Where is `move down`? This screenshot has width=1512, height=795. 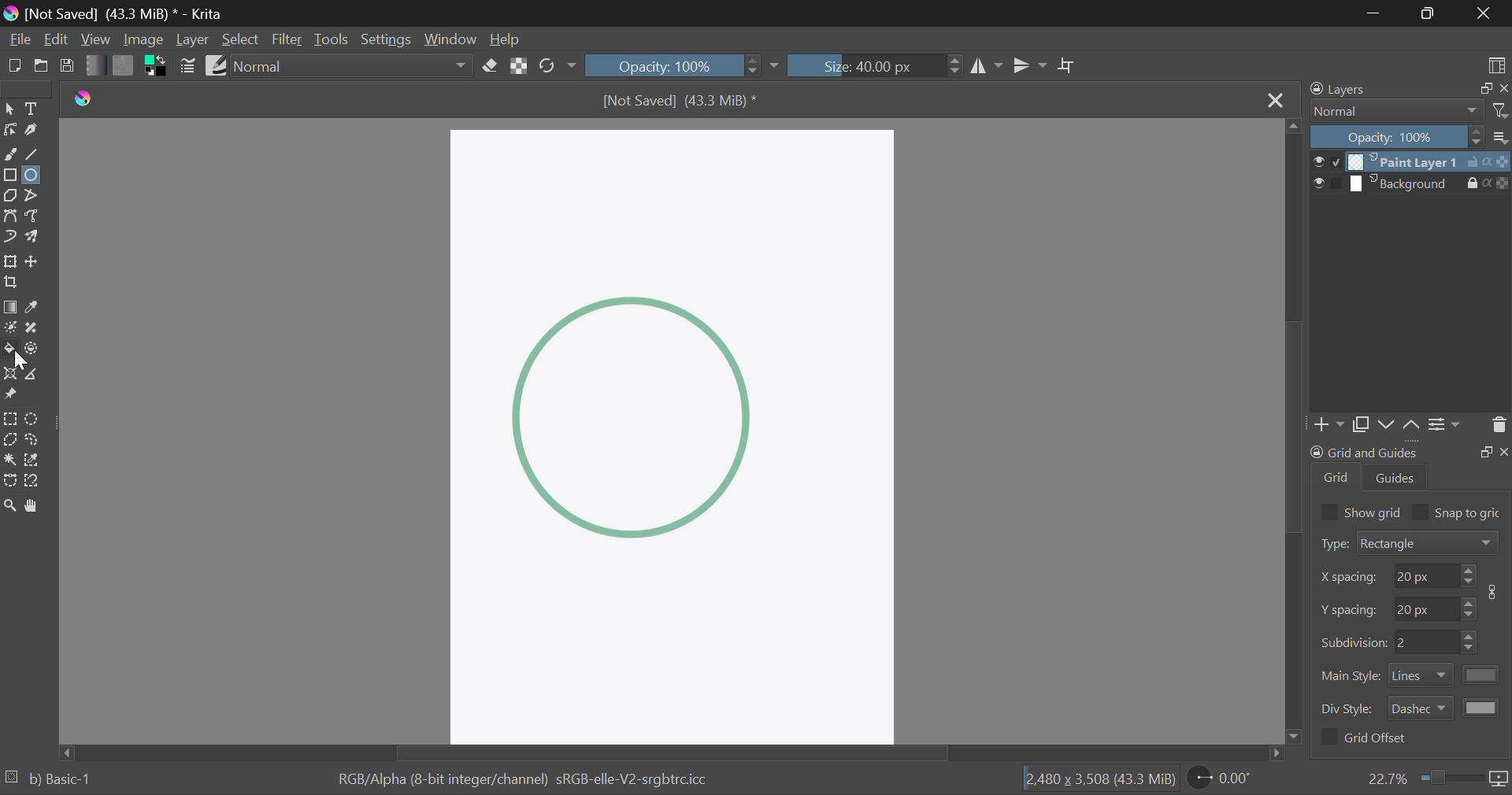 move down is located at coordinates (1296, 734).